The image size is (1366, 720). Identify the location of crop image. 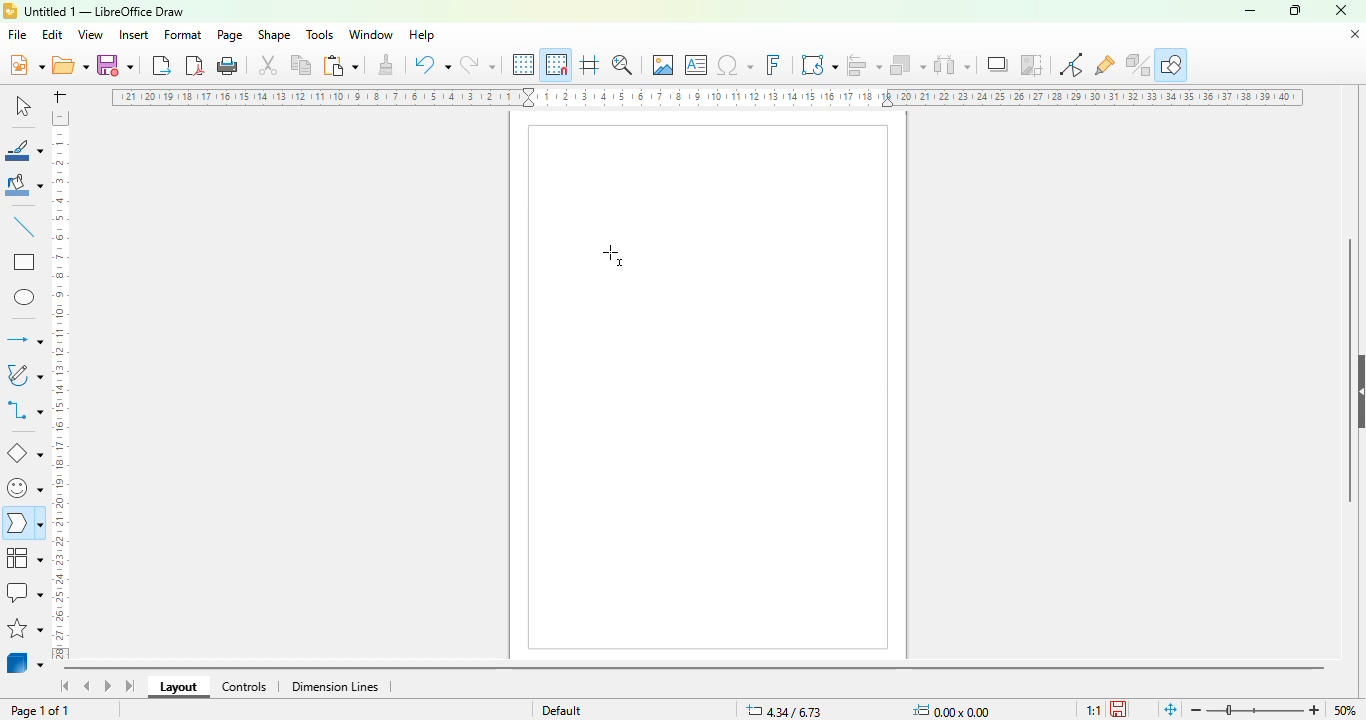
(1031, 64).